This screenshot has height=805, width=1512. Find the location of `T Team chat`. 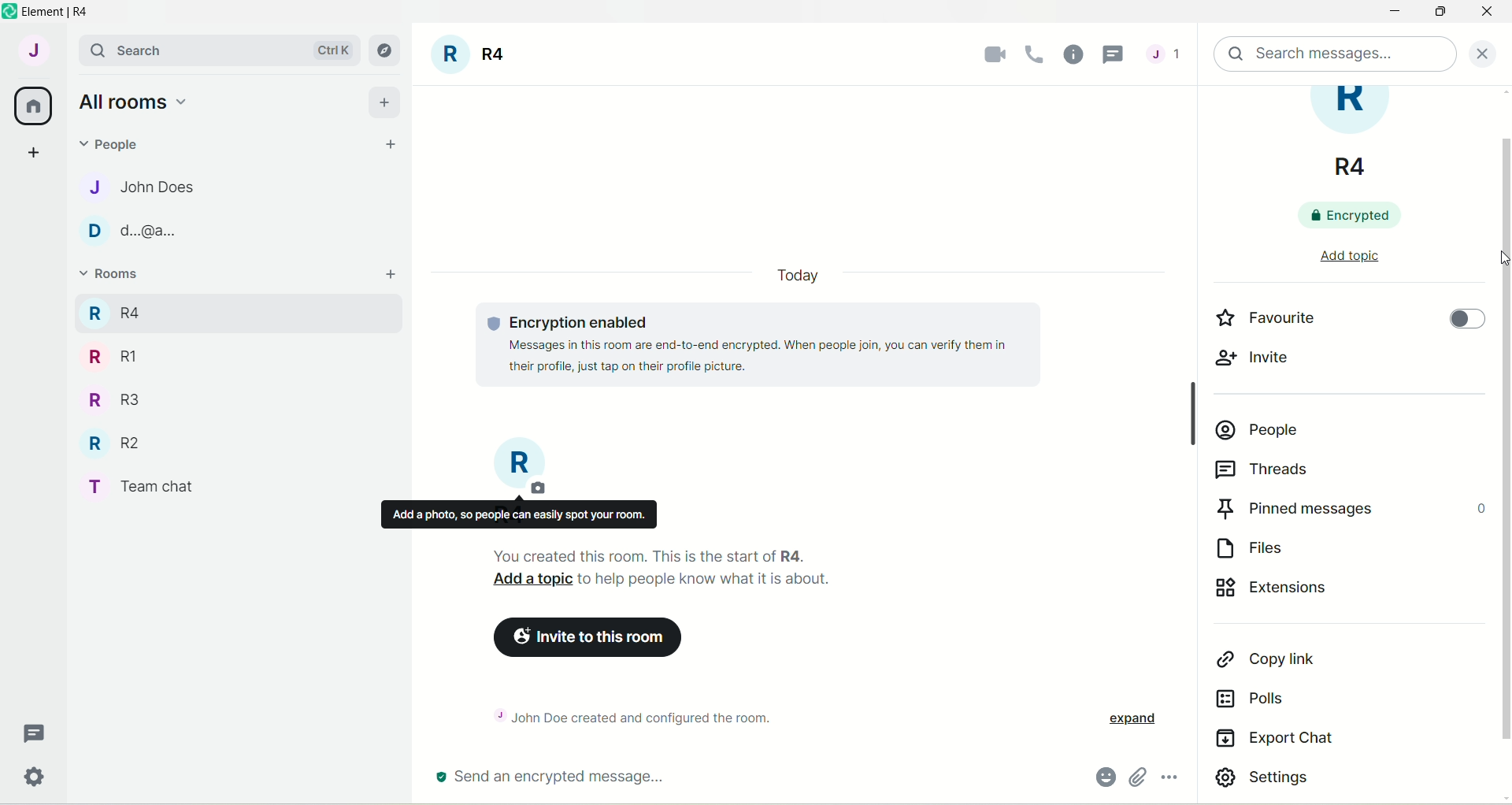

T Team chat is located at coordinates (150, 484).